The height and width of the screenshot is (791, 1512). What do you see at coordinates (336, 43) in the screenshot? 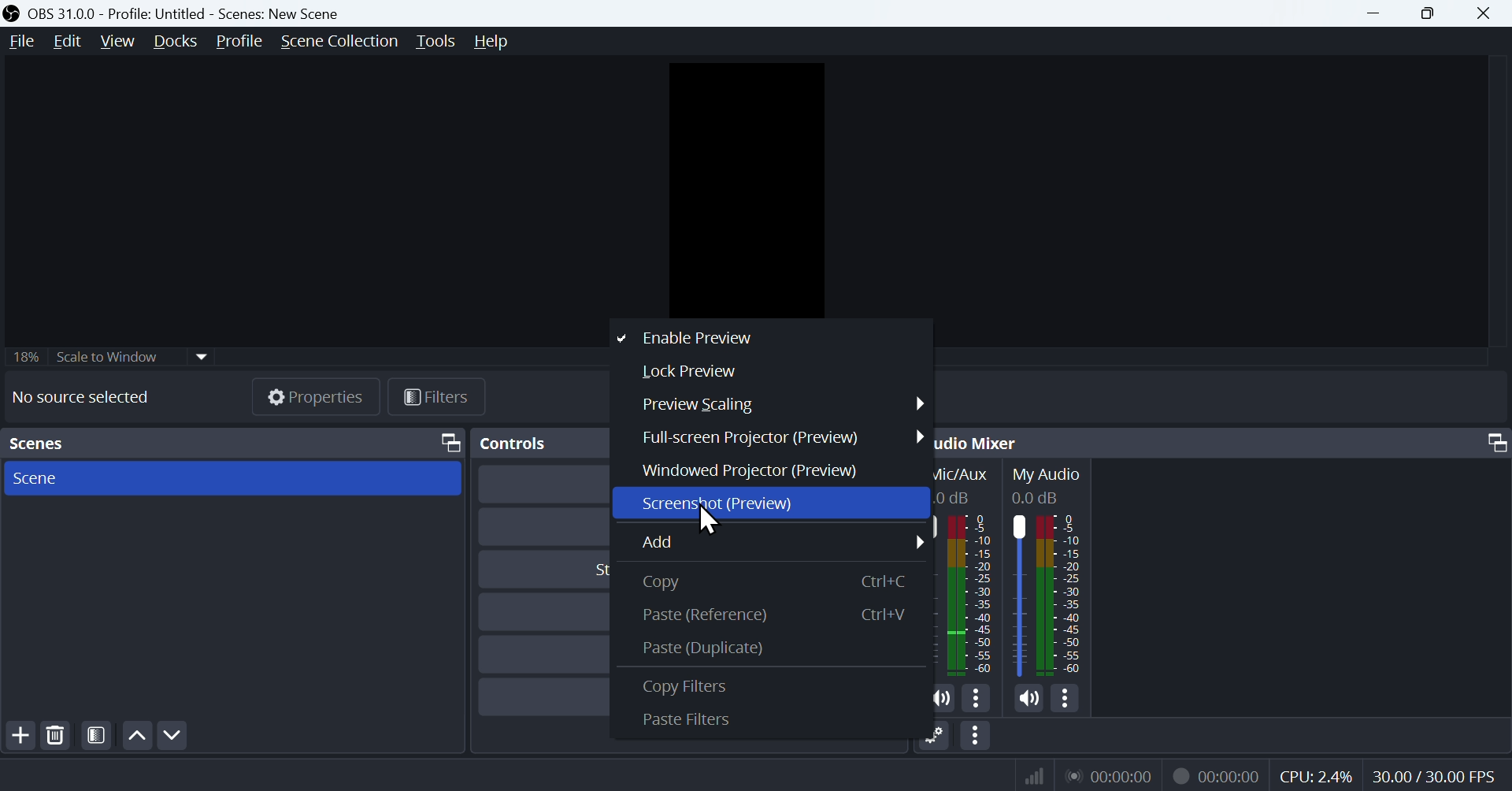
I see `Scene Collection` at bounding box center [336, 43].